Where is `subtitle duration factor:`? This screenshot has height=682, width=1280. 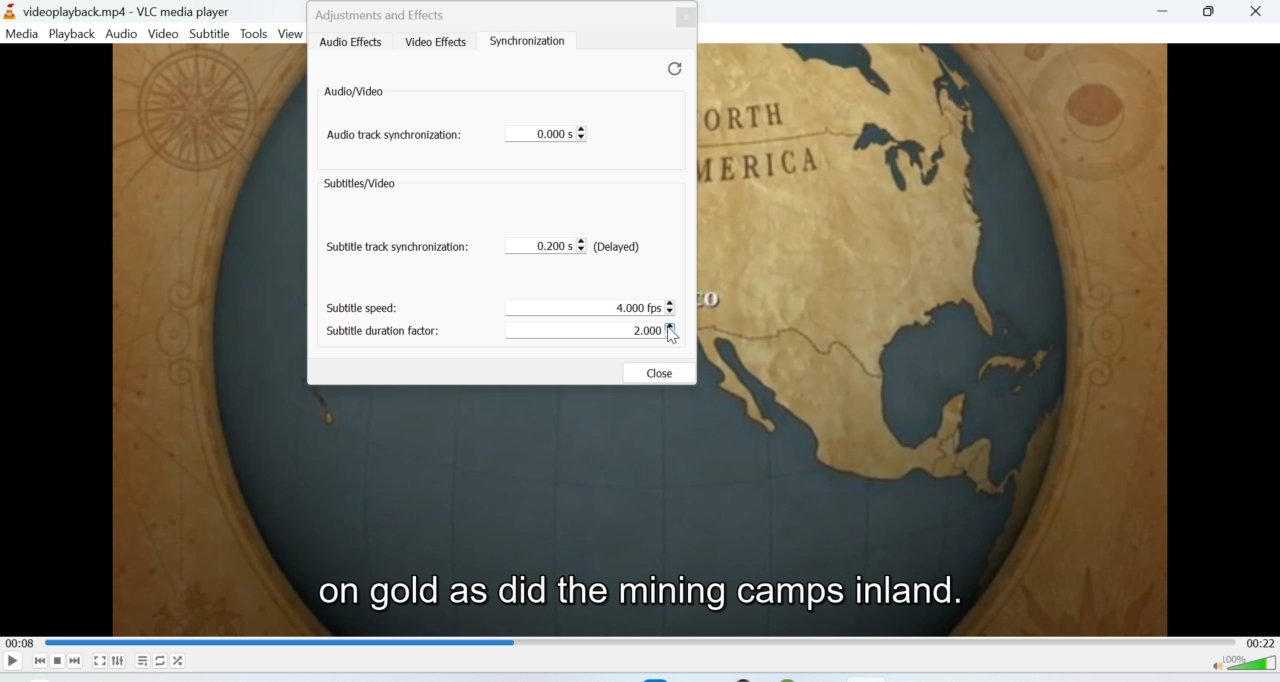
subtitle duration factor: is located at coordinates (387, 330).